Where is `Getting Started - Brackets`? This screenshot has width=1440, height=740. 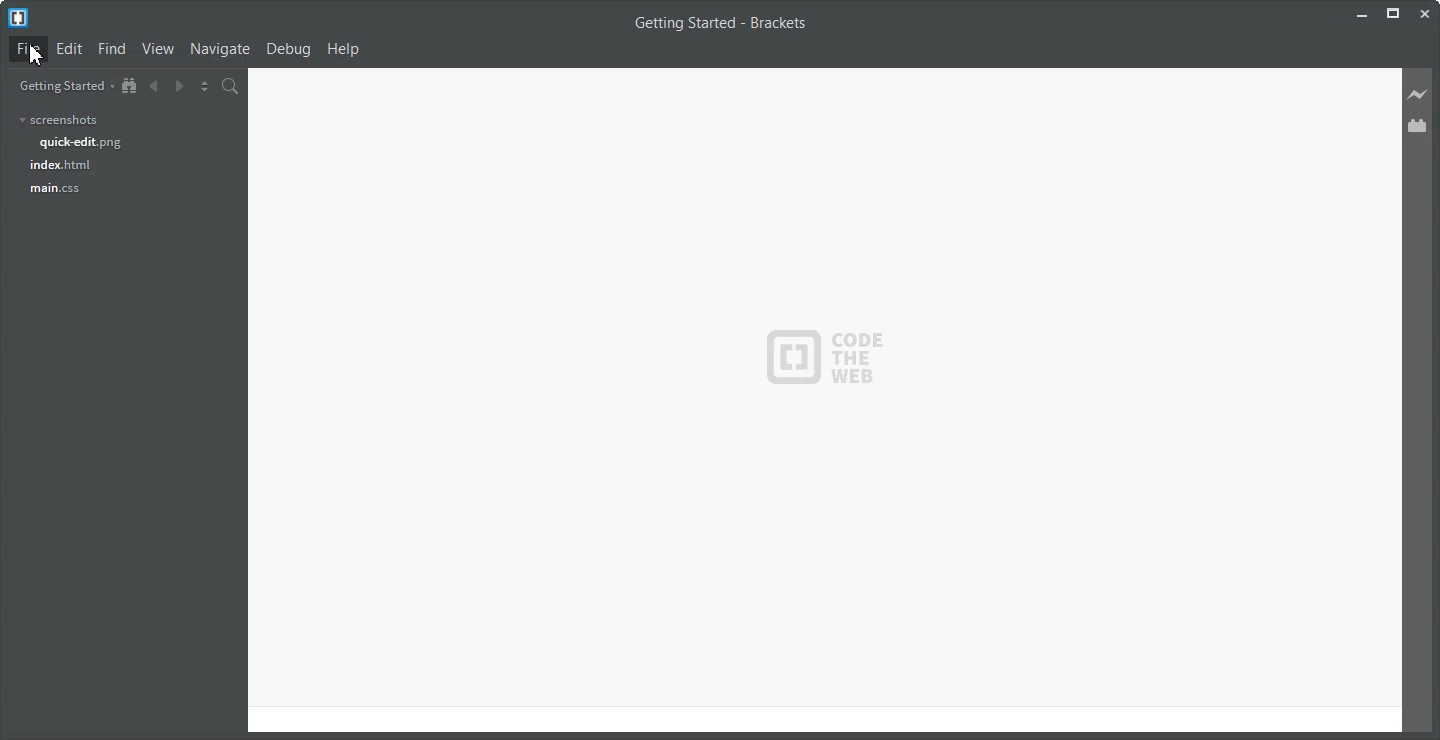 Getting Started - Brackets is located at coordinates (721, 25).